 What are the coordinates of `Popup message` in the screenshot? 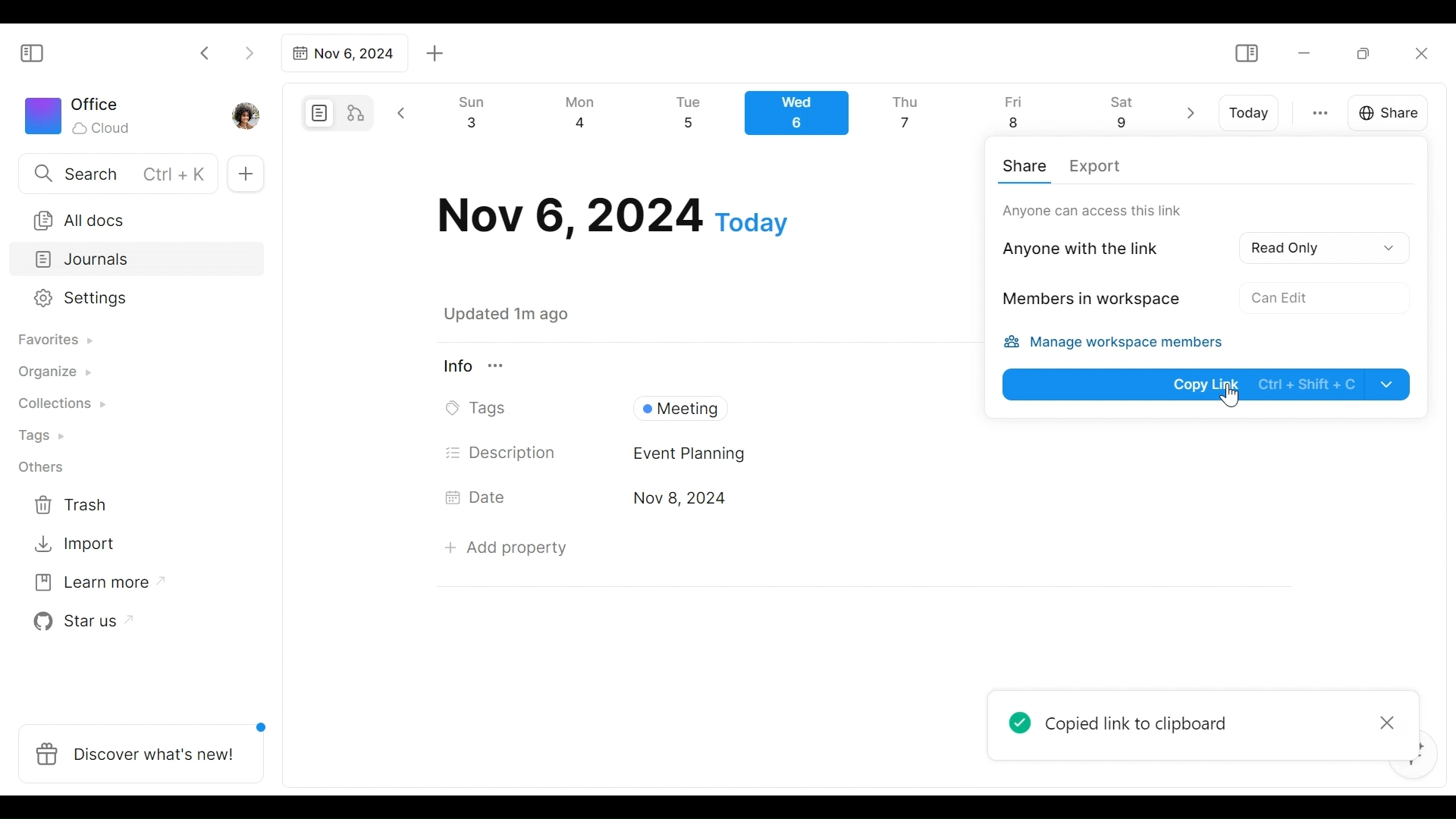 It's located at (1194, 720).